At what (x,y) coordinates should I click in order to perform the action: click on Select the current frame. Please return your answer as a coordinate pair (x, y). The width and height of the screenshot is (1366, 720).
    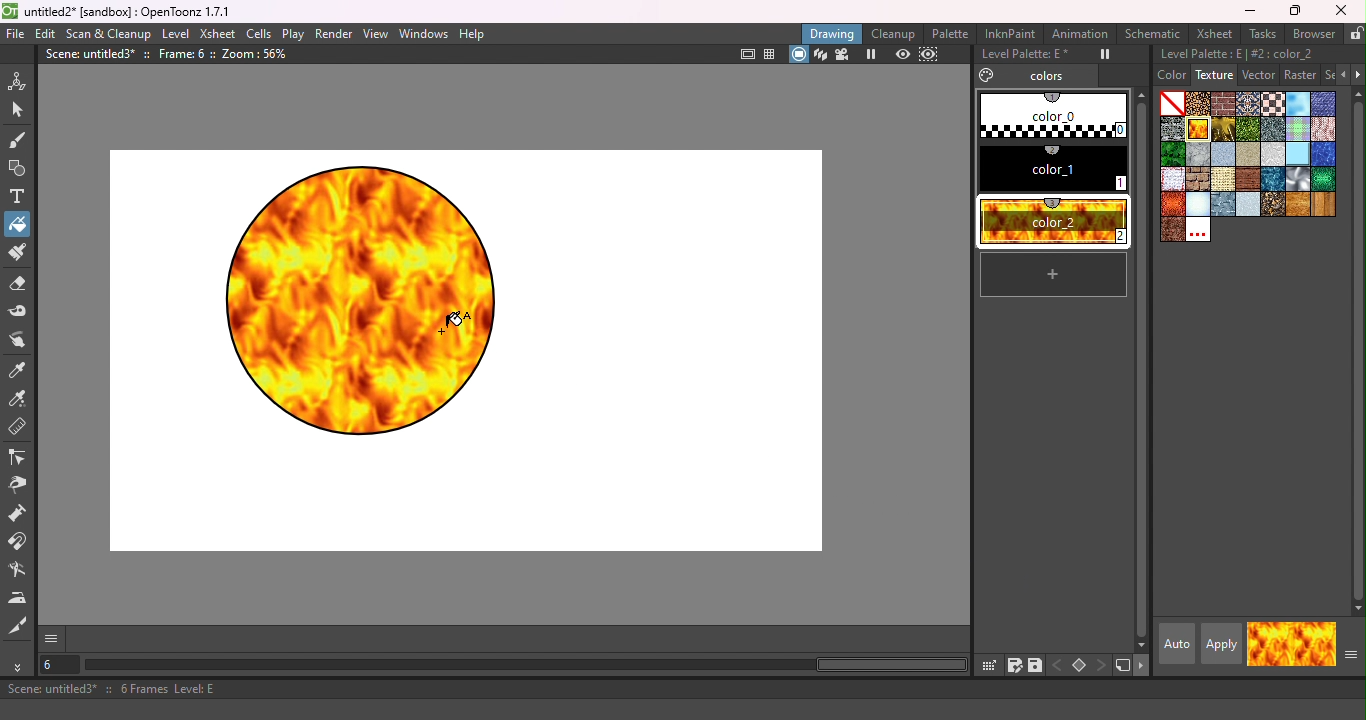
    Looking at the image, I should click on (61, 666).